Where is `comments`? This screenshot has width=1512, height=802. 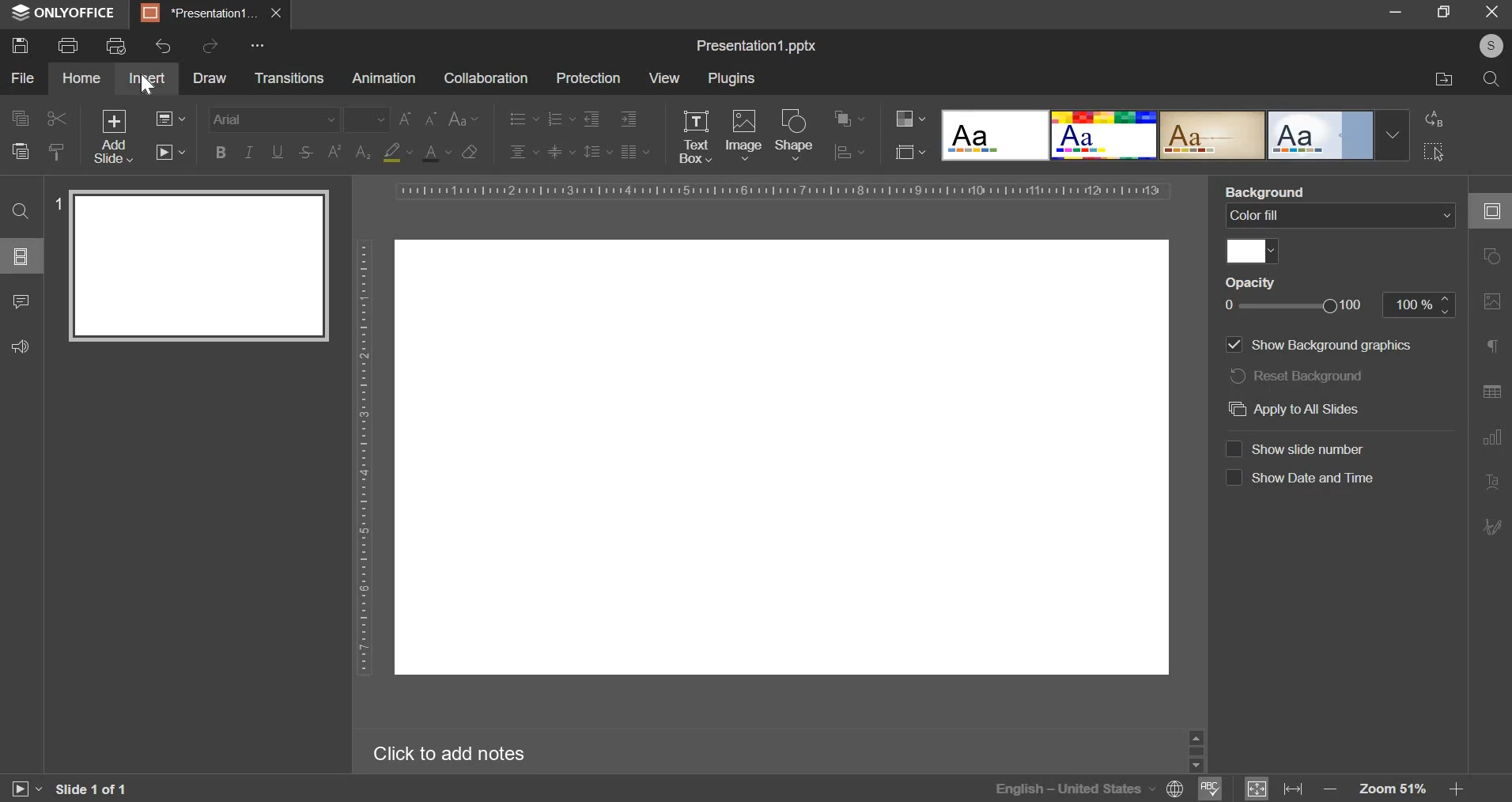 comments is located at coordinates (20, 301).